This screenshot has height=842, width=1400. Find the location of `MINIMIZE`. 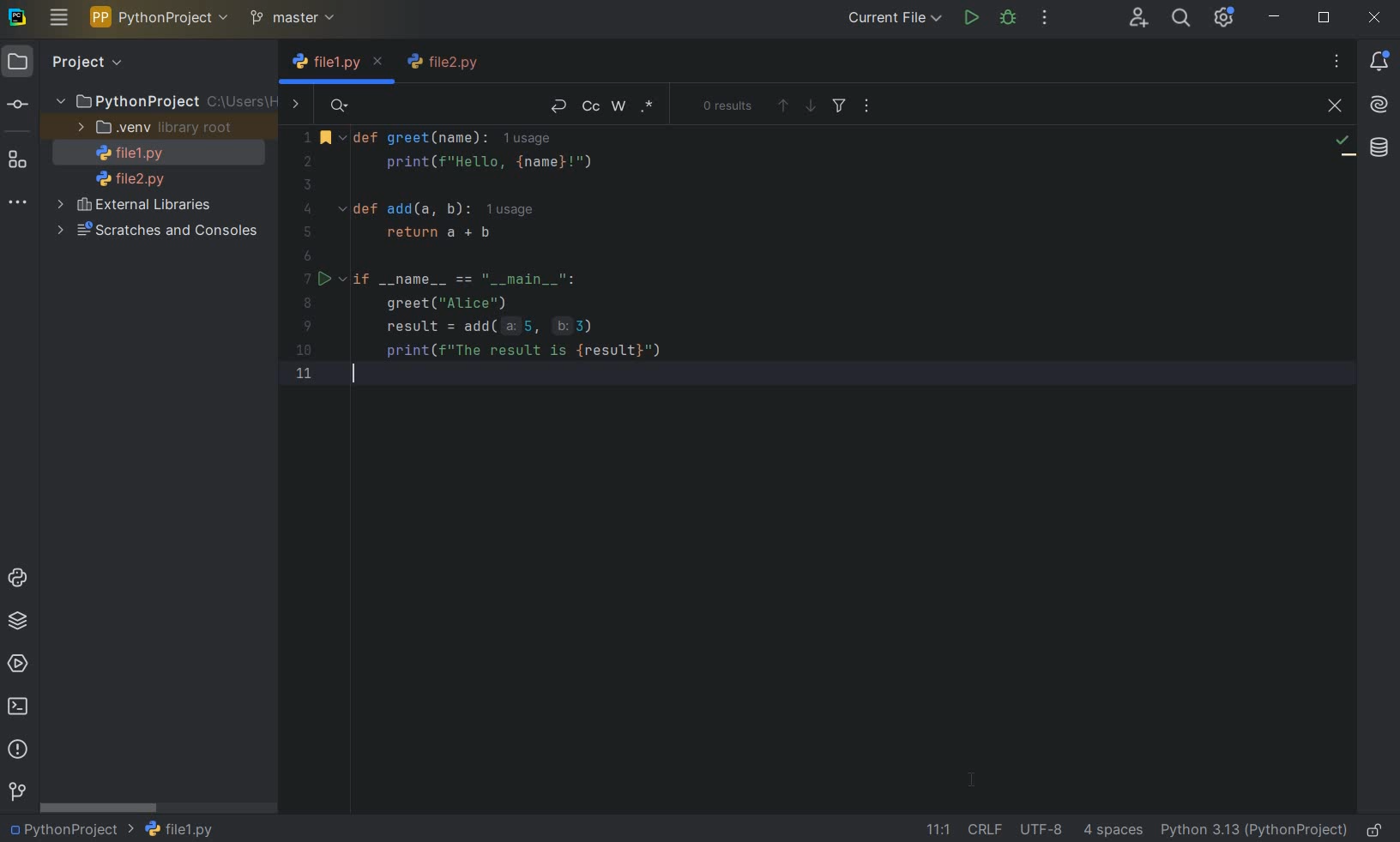

MINIMIZE is located at coordinates (1275, 18).